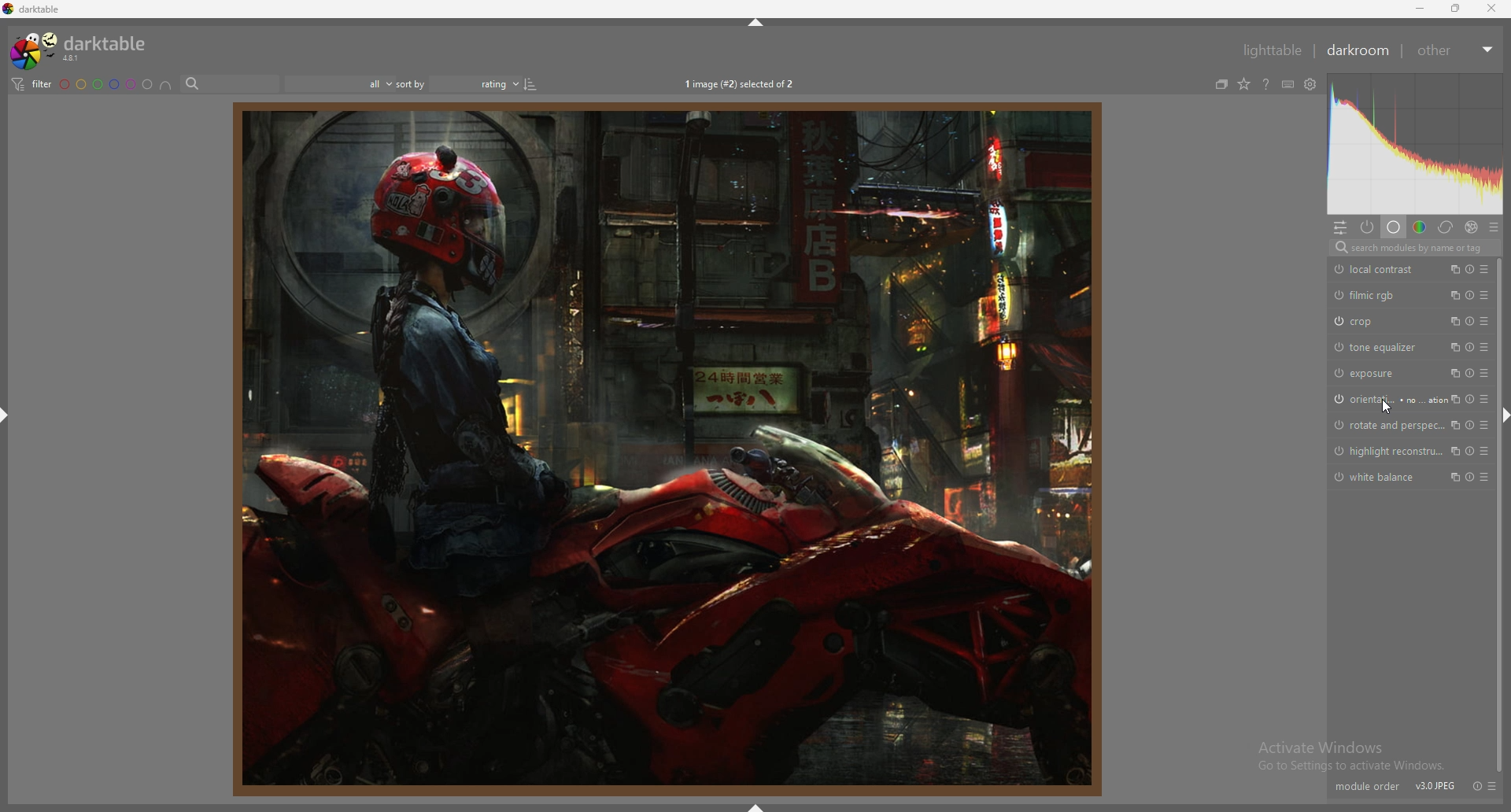 The width and height of the screenshot is (1511, 812). I want to click on multiple instances action, so click(1450, 452).